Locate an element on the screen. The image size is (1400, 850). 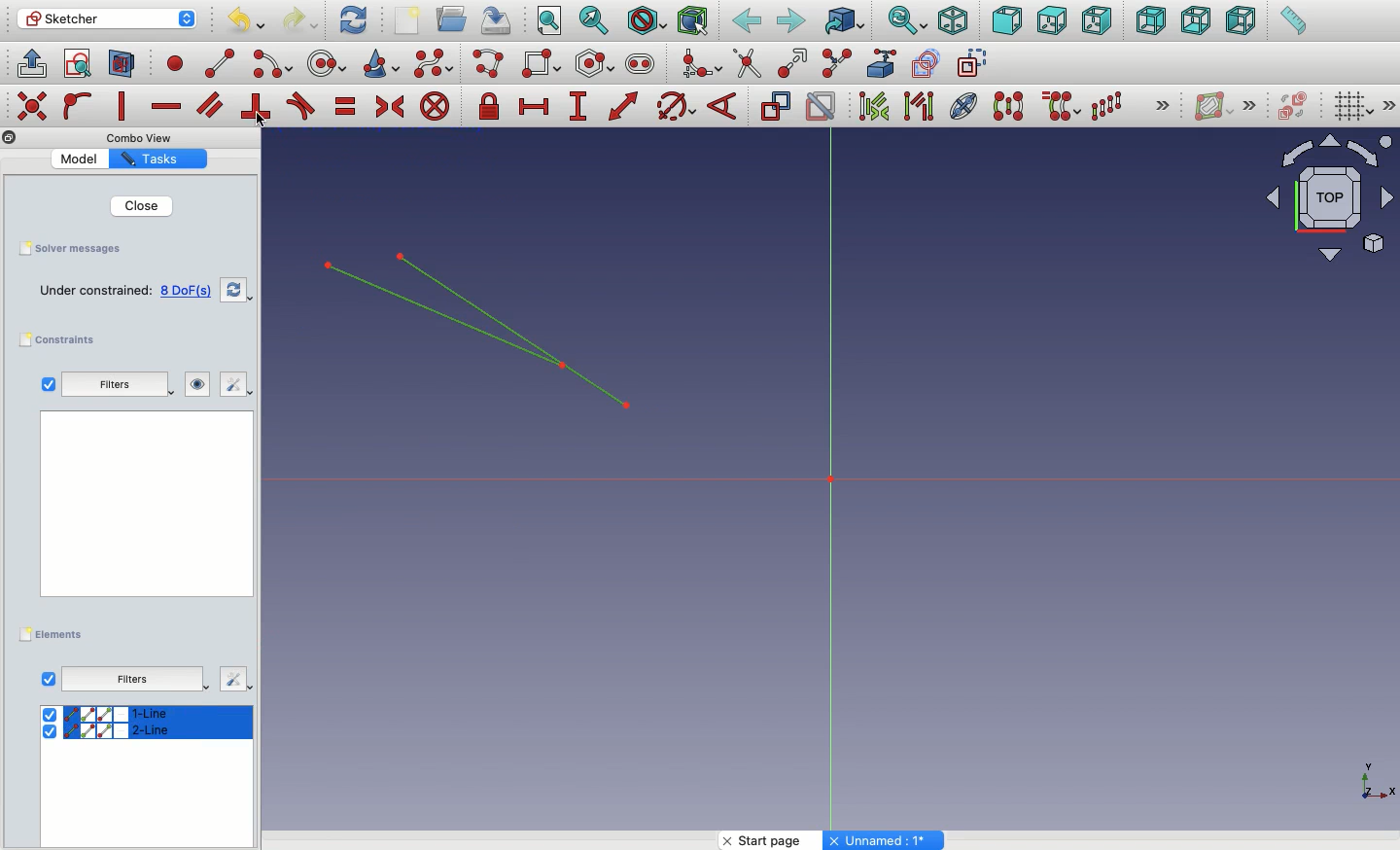
View sketch is located at coordinates (78, 65).